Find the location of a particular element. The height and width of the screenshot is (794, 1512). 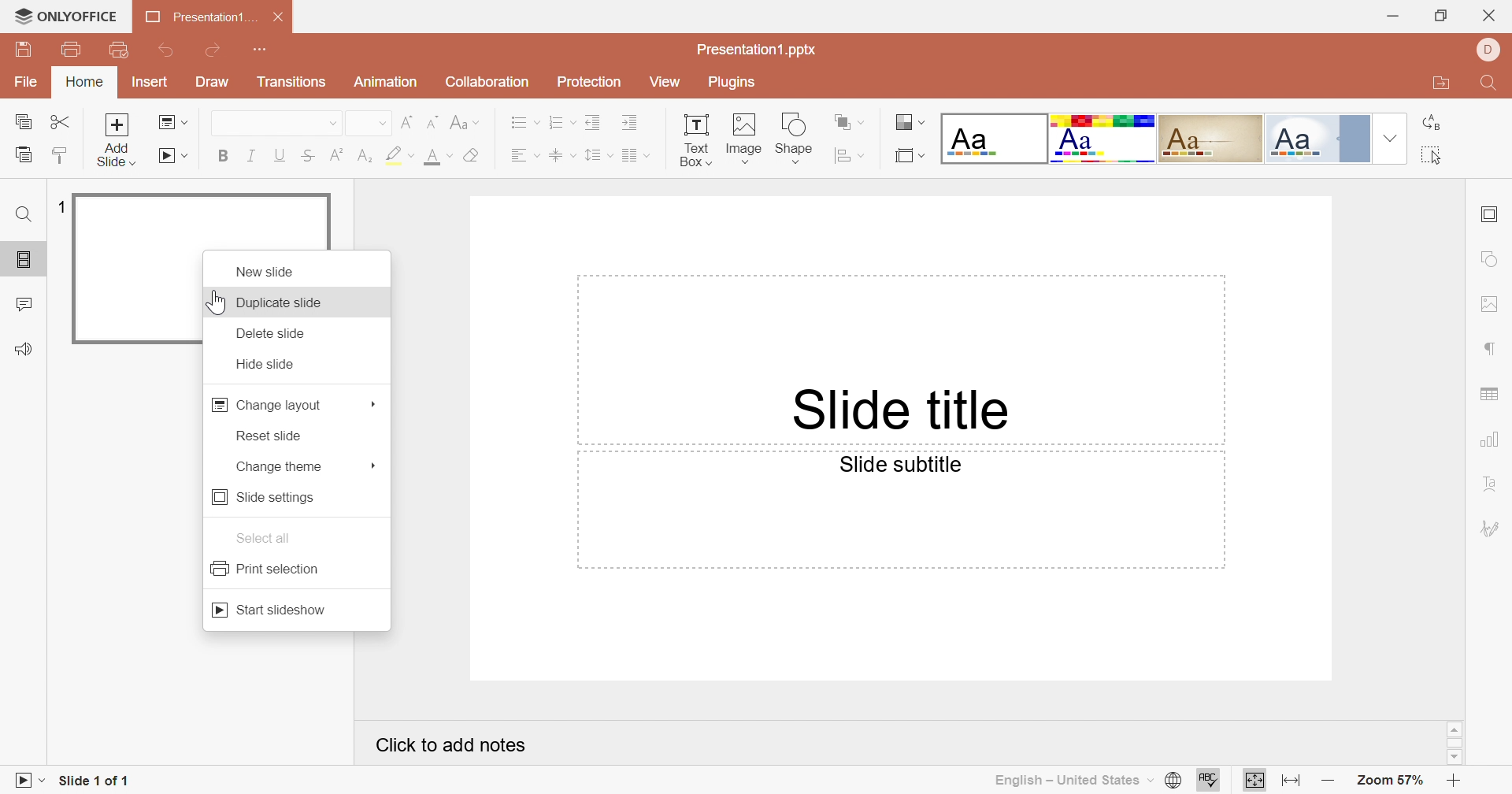

Basic is located at coordinates (1104, 139).